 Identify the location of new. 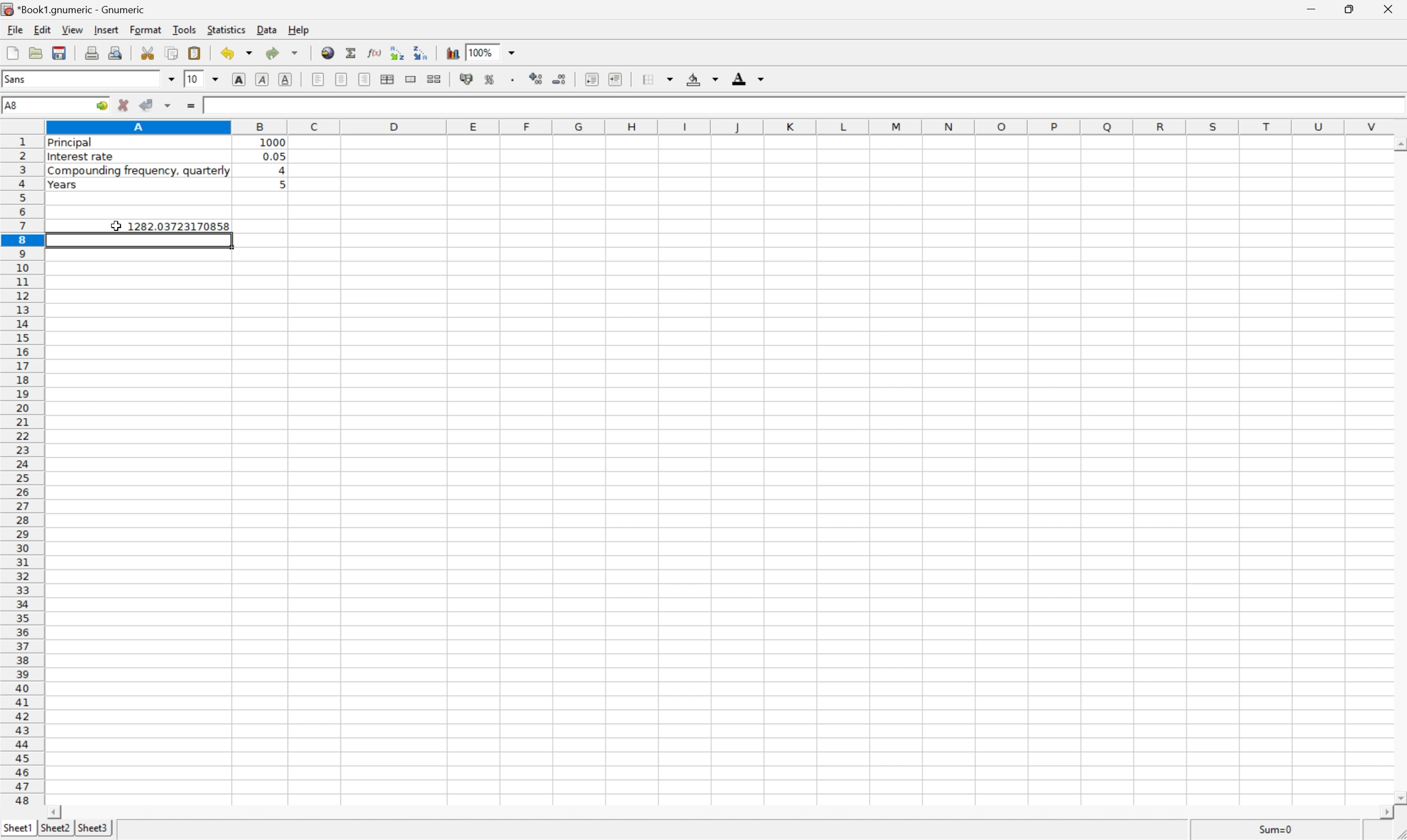
(11, 52).